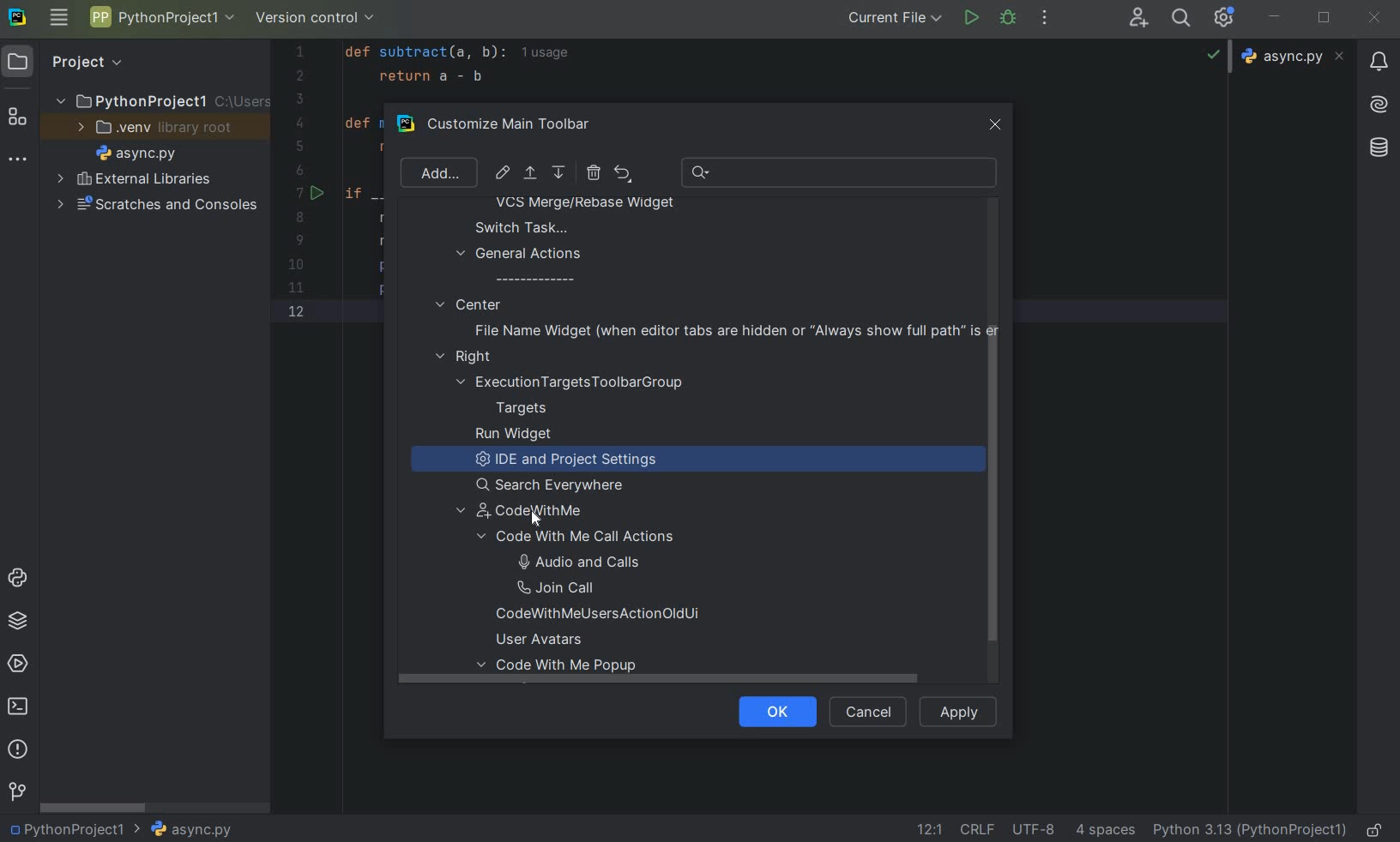 The width and height of the screenshot is (1400, 842). I want to click on INDENT, so click(1103, 829).